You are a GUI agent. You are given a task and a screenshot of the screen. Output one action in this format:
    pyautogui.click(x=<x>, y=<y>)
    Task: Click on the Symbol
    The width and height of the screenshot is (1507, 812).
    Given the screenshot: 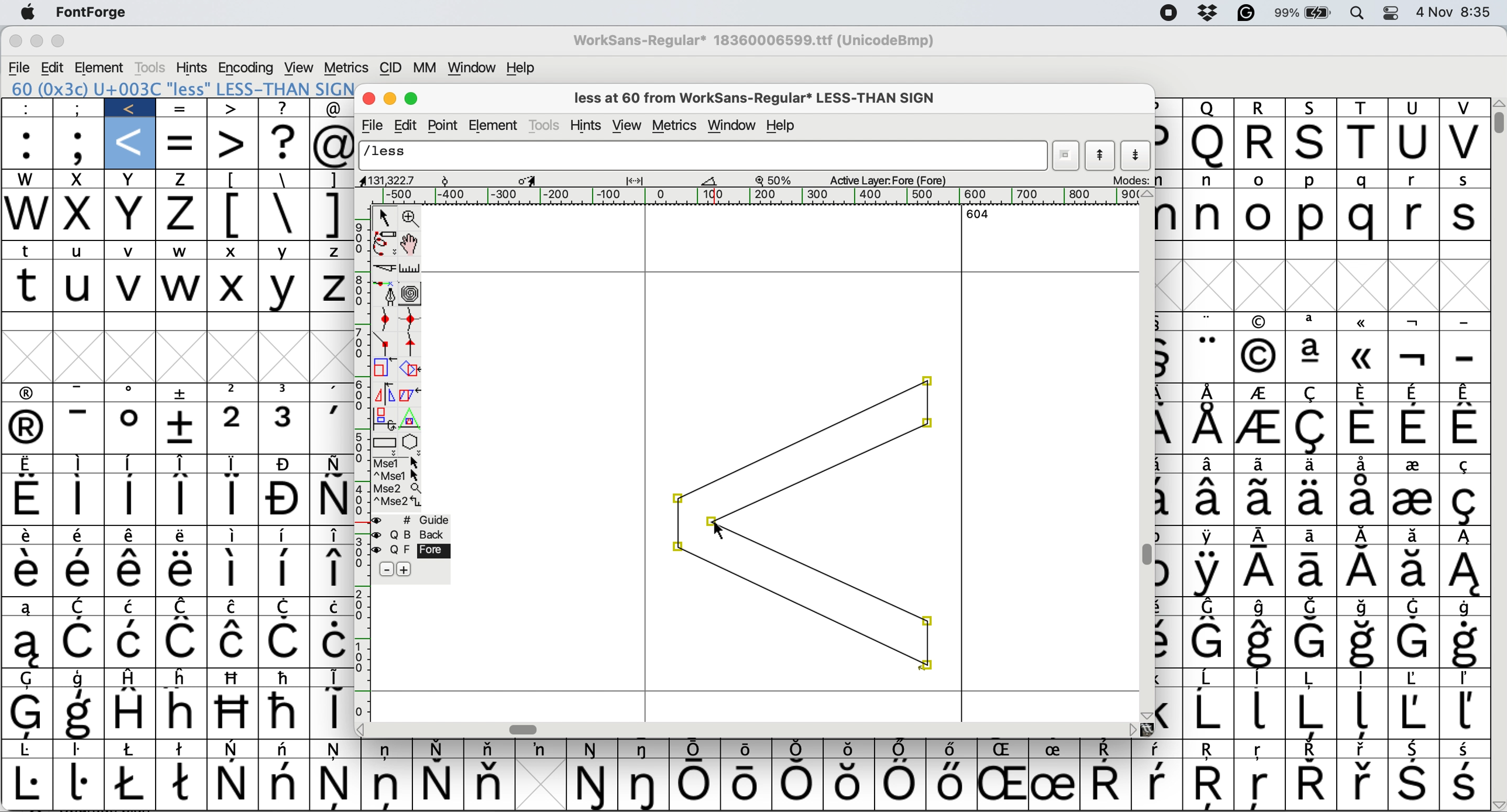 What is the action you would take?
    pyautogui.click(x=82, y=465)
    